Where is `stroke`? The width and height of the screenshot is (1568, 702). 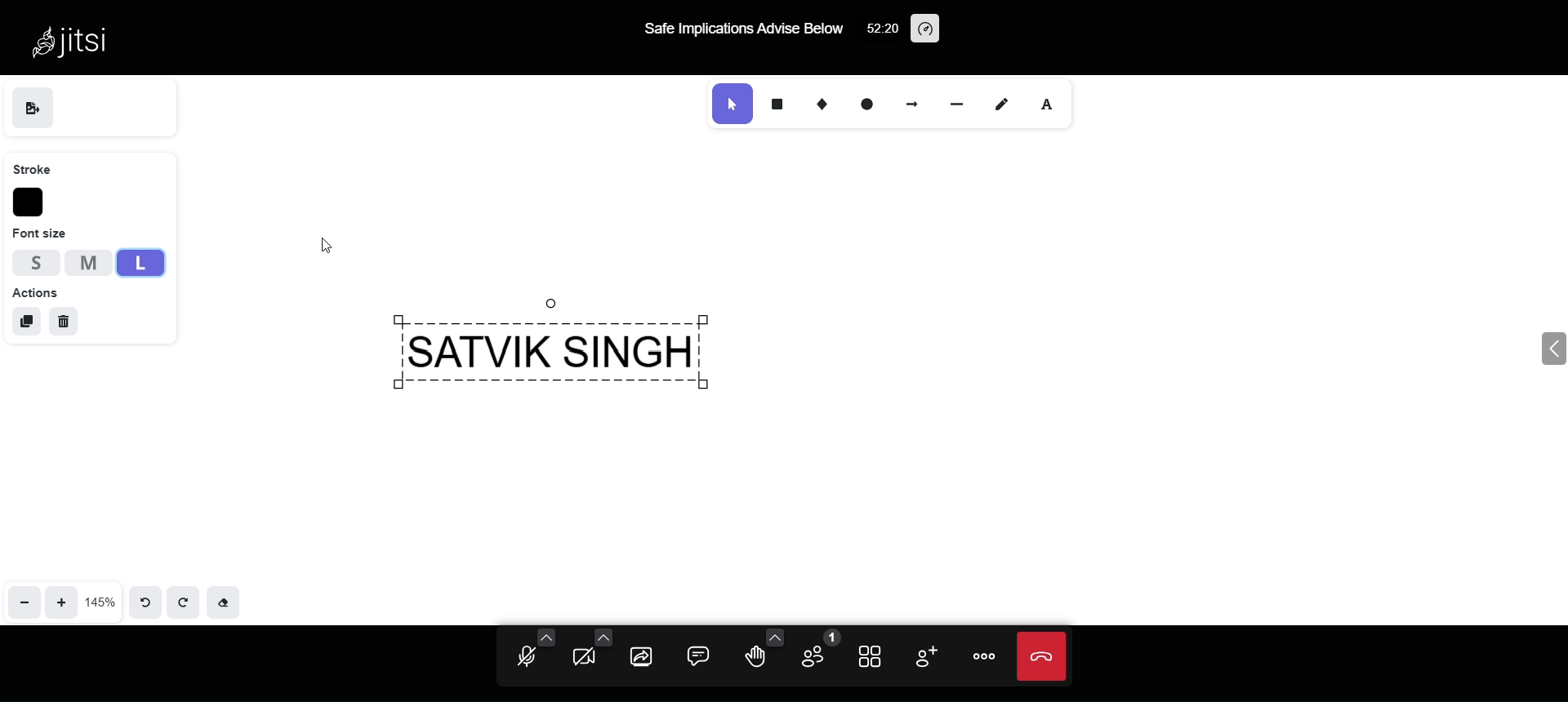
stroke is located at coordinates (38, 170).